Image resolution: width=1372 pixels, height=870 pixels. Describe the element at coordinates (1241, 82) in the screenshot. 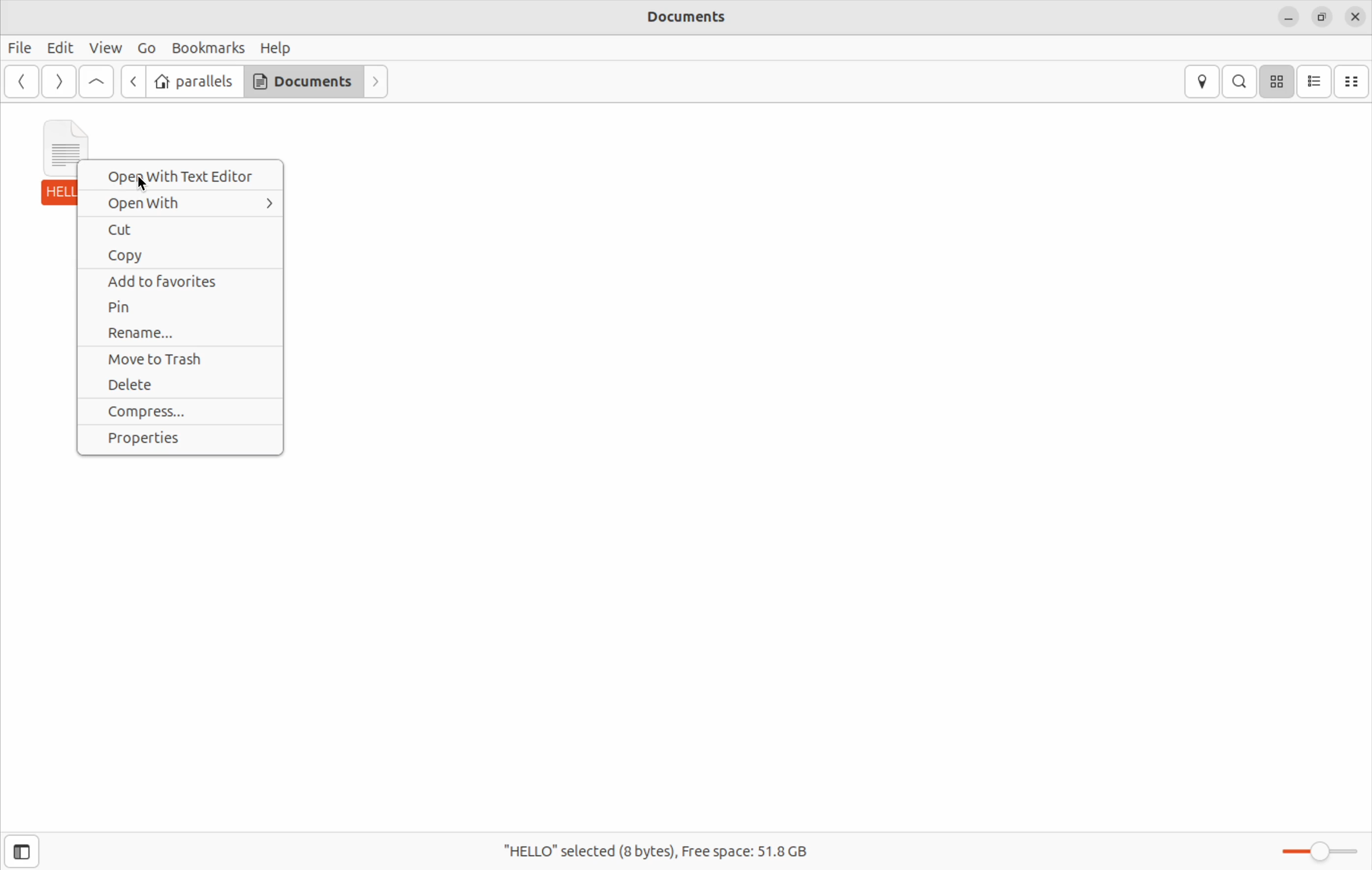

I see `Search` at that location.